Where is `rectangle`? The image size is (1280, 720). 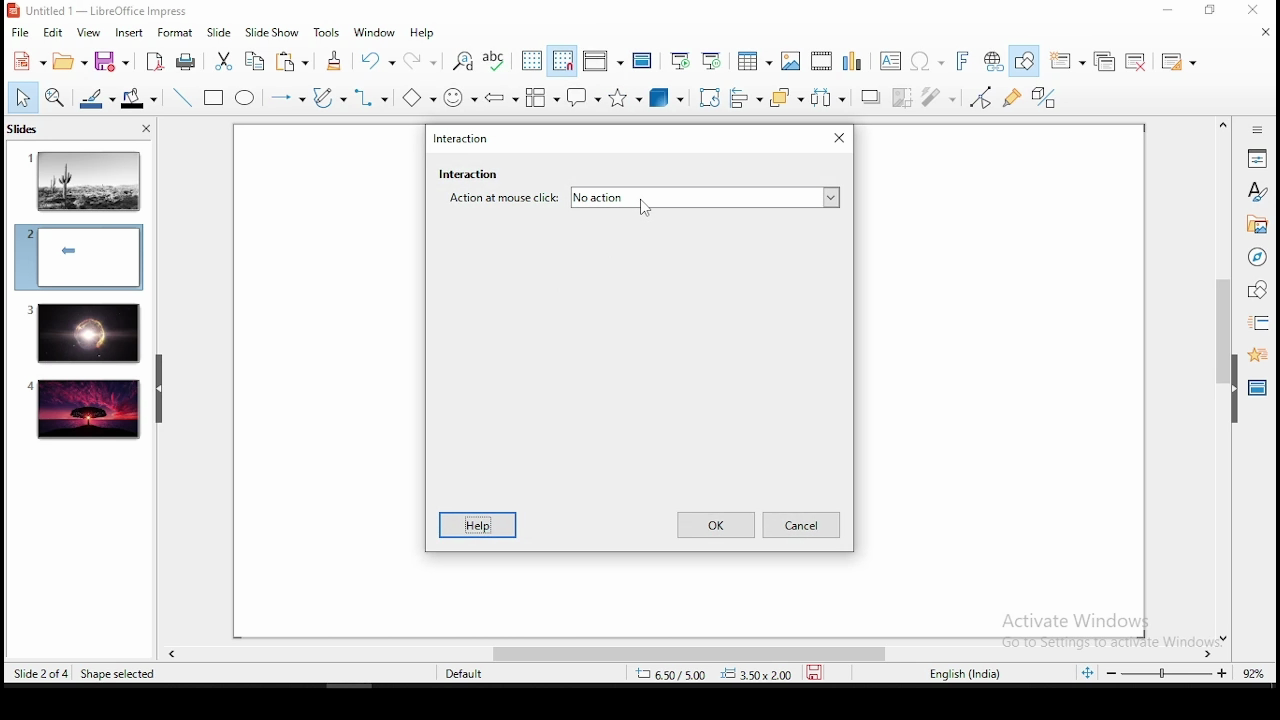 rectangle is located at coordinates (215, 99).